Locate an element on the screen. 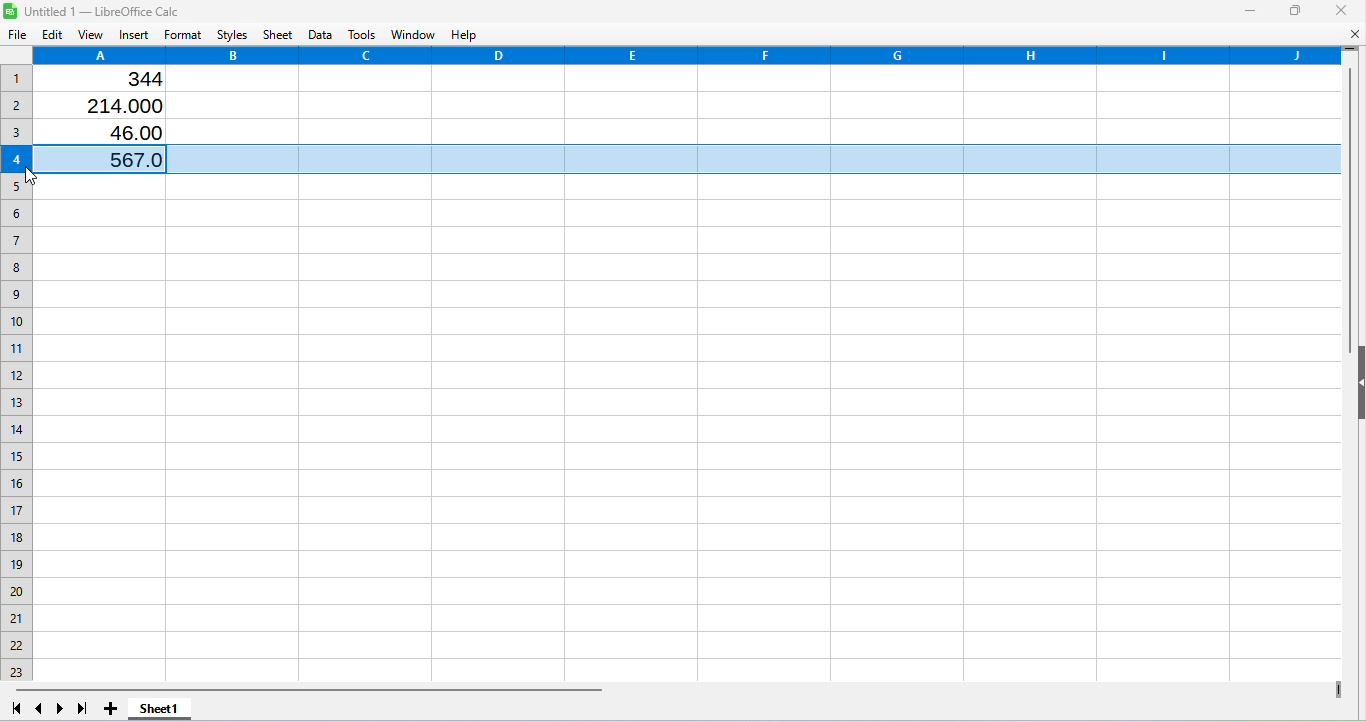 The width and height of the screenshot is (1366, 722). selected row is located at coordinates (766, 160).